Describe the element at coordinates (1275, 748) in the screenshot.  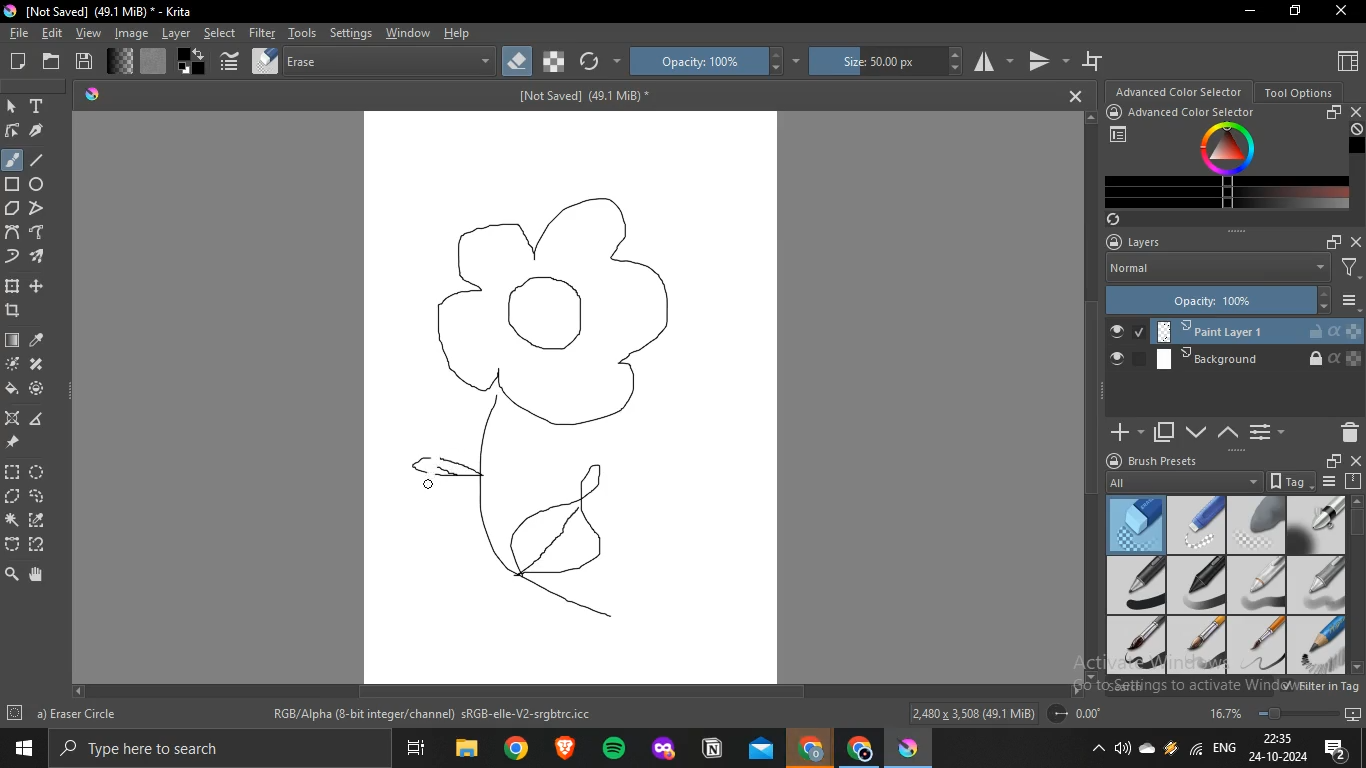
I see `22:34 24-10-2024` at that location.